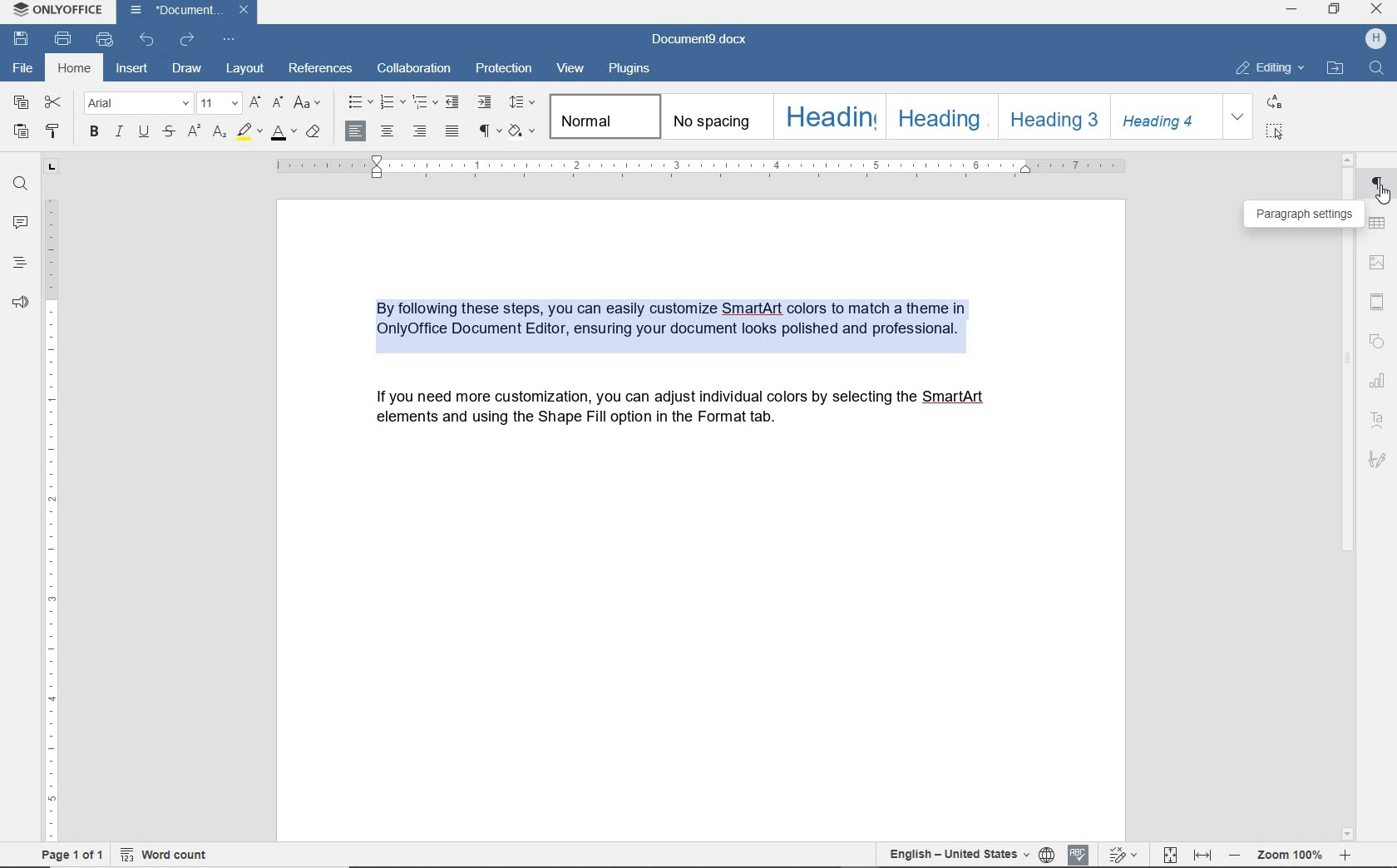  Describe the element at coordinates (133, 69) in the screenshot. I see `insert` at that location.